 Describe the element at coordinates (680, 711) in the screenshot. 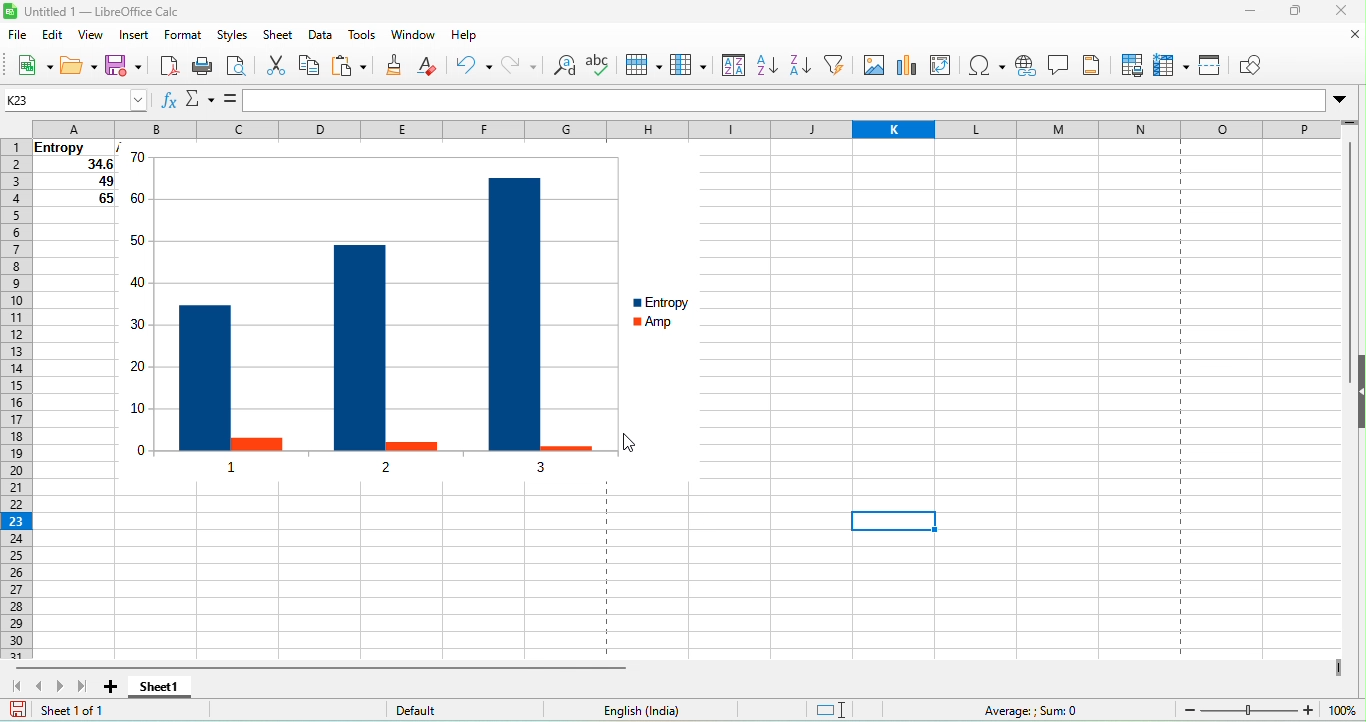

I see `text language` at that location.